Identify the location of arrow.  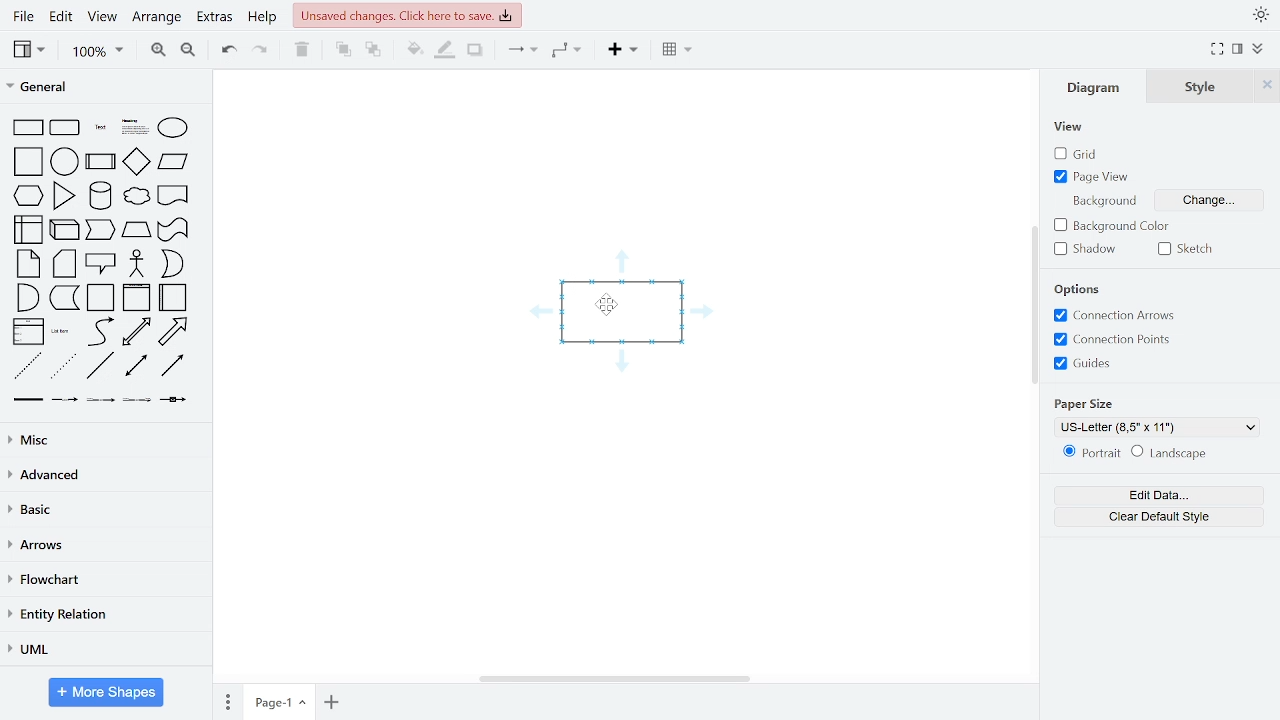
(174, 332).